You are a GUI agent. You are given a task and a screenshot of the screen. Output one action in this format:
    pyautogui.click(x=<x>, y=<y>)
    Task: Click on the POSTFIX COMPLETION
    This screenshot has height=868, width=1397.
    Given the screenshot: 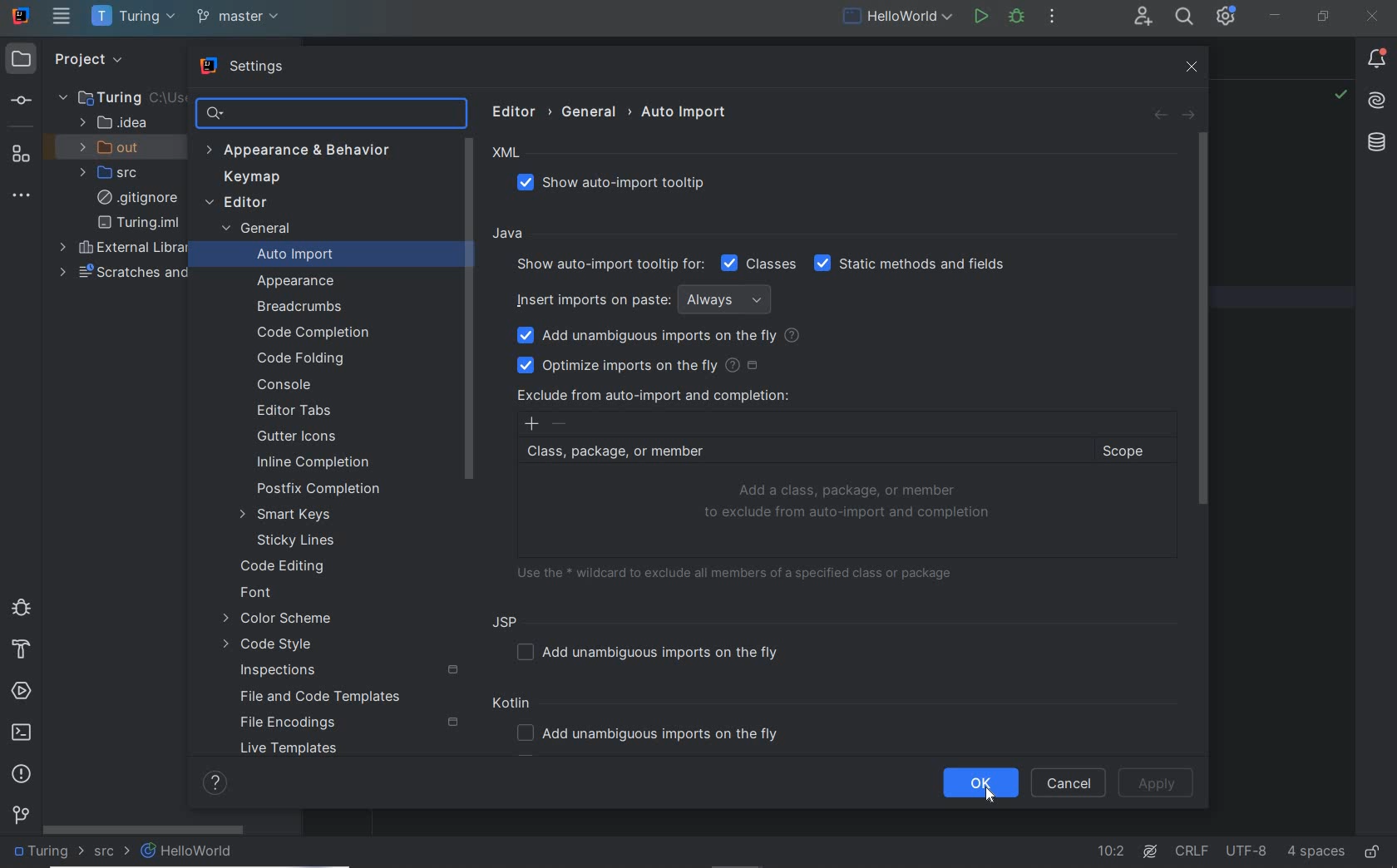 What is the action you would take?
    pyautogui.click(x=320, y=489)
    